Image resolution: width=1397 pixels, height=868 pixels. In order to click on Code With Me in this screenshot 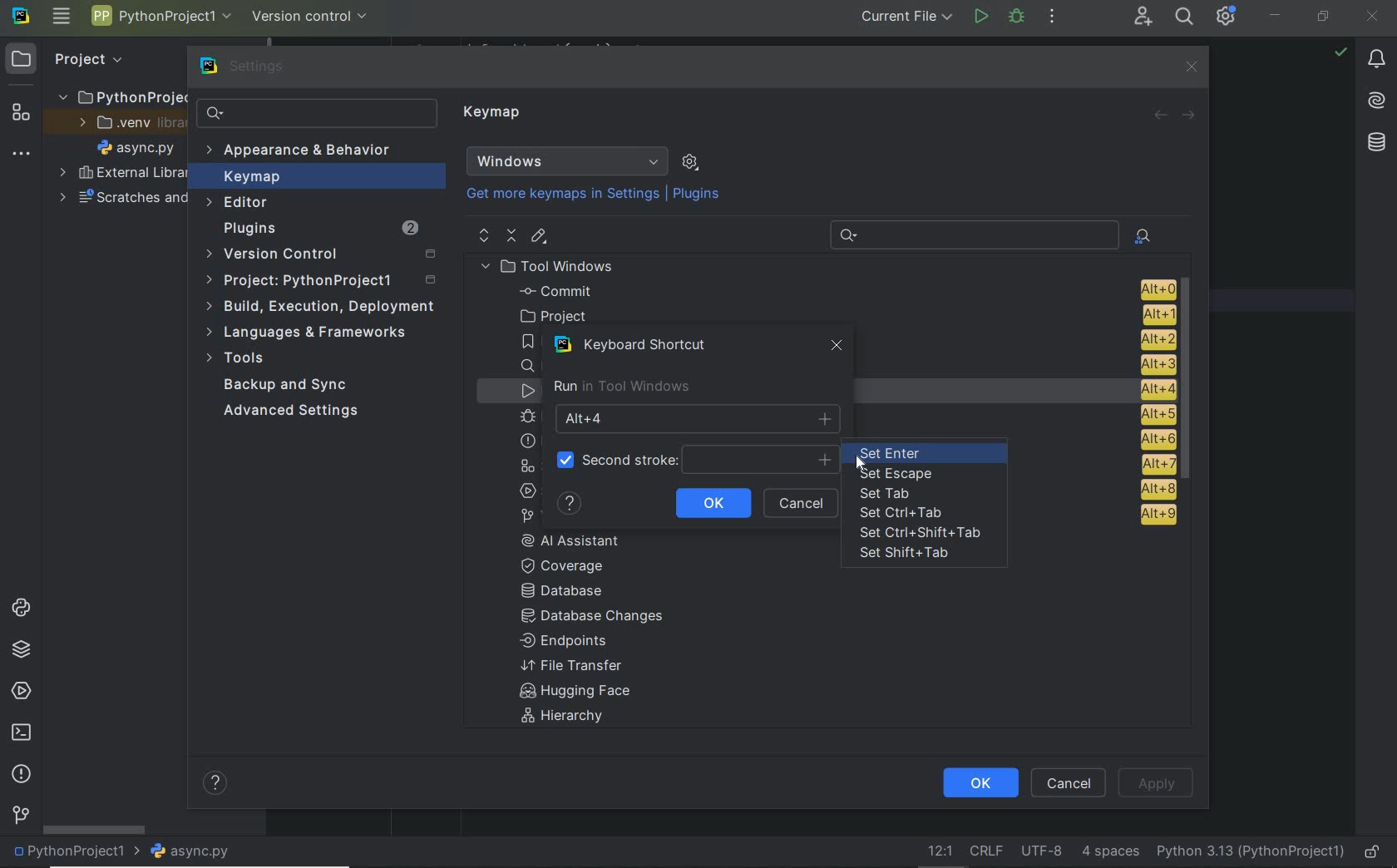, I will do `click(1143, 17)`.